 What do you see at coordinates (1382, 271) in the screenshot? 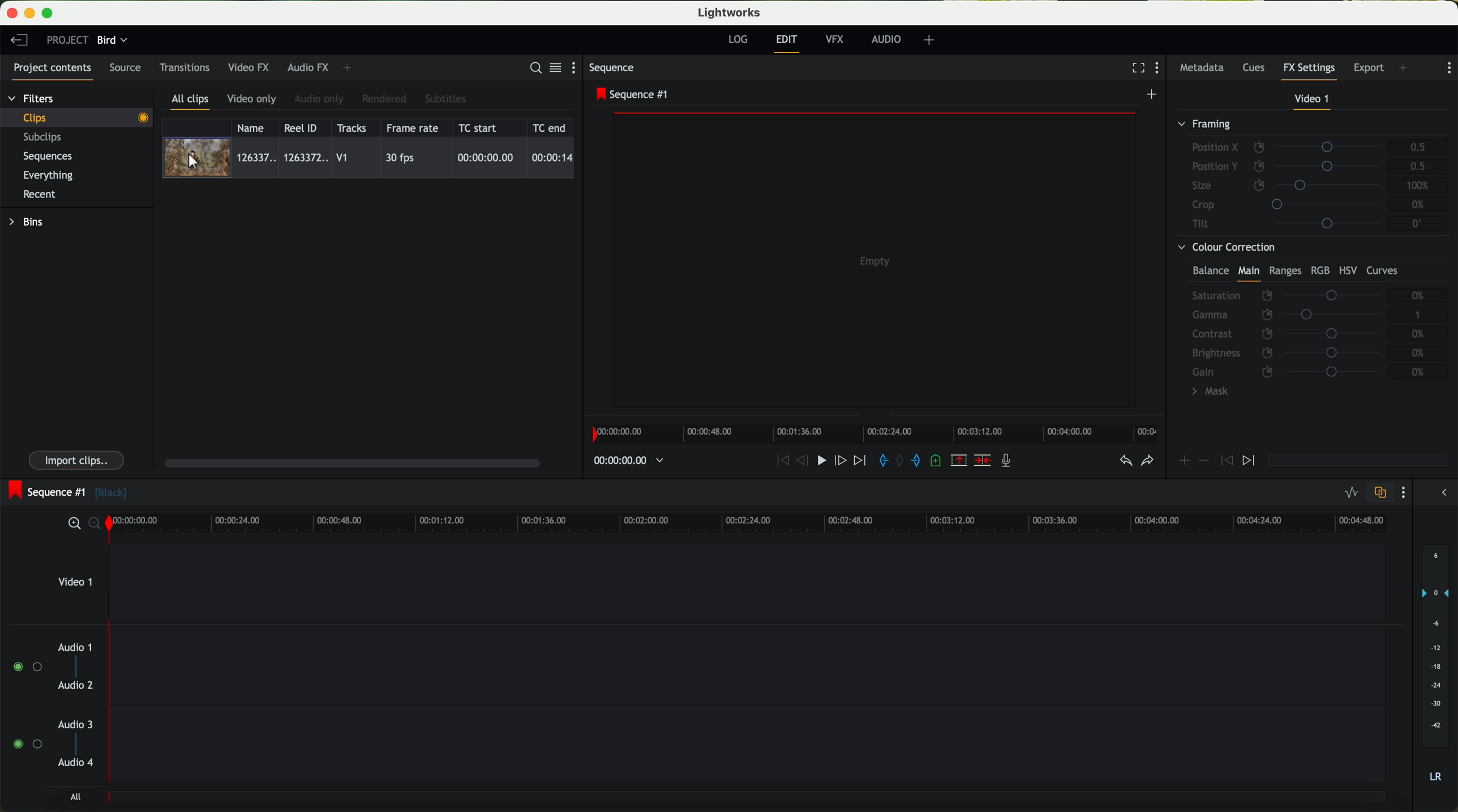
I see `curves` at bounding box center [1382, 271].